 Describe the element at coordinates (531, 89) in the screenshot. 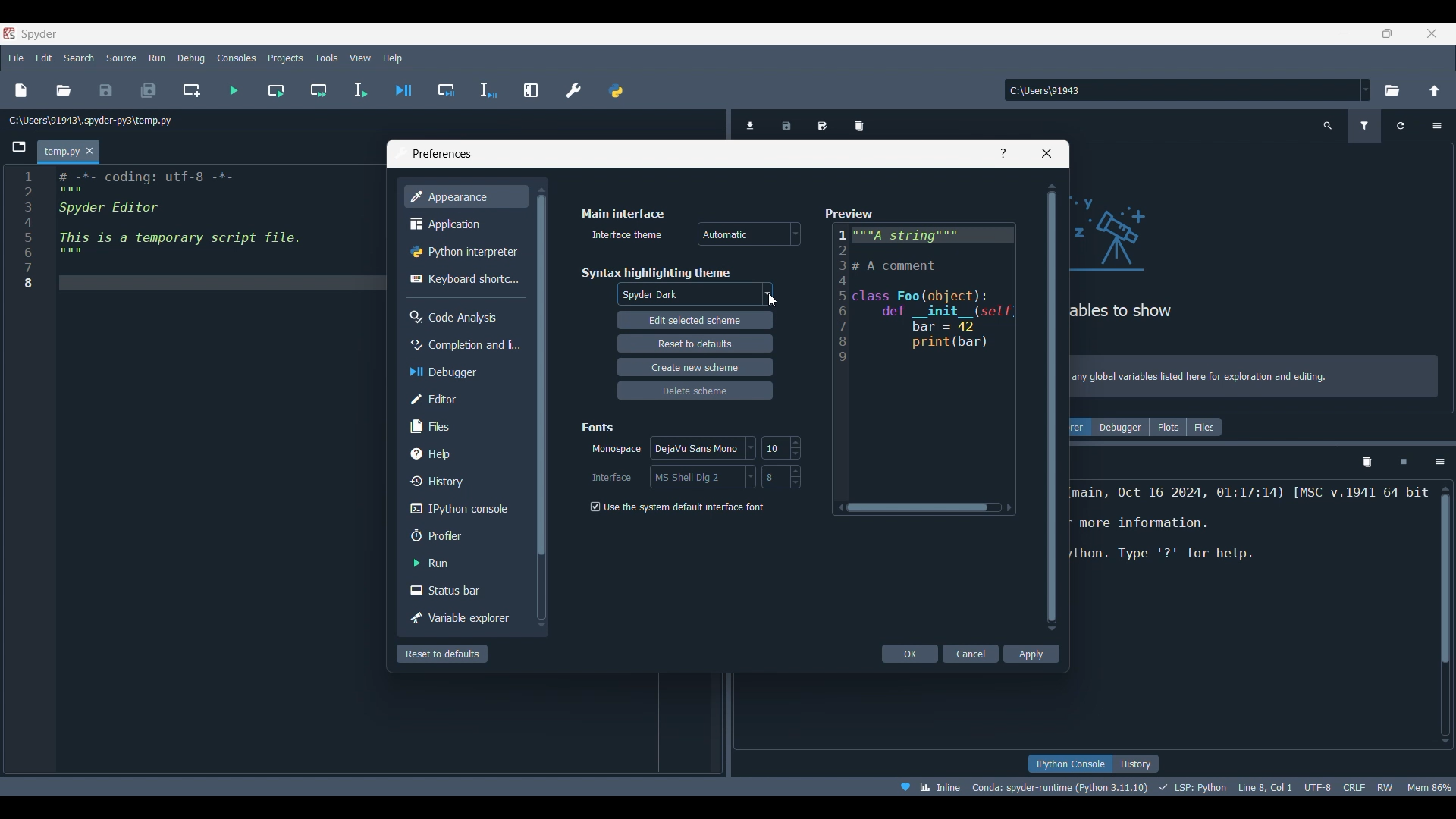

I see `Maximize current pane` at that location.